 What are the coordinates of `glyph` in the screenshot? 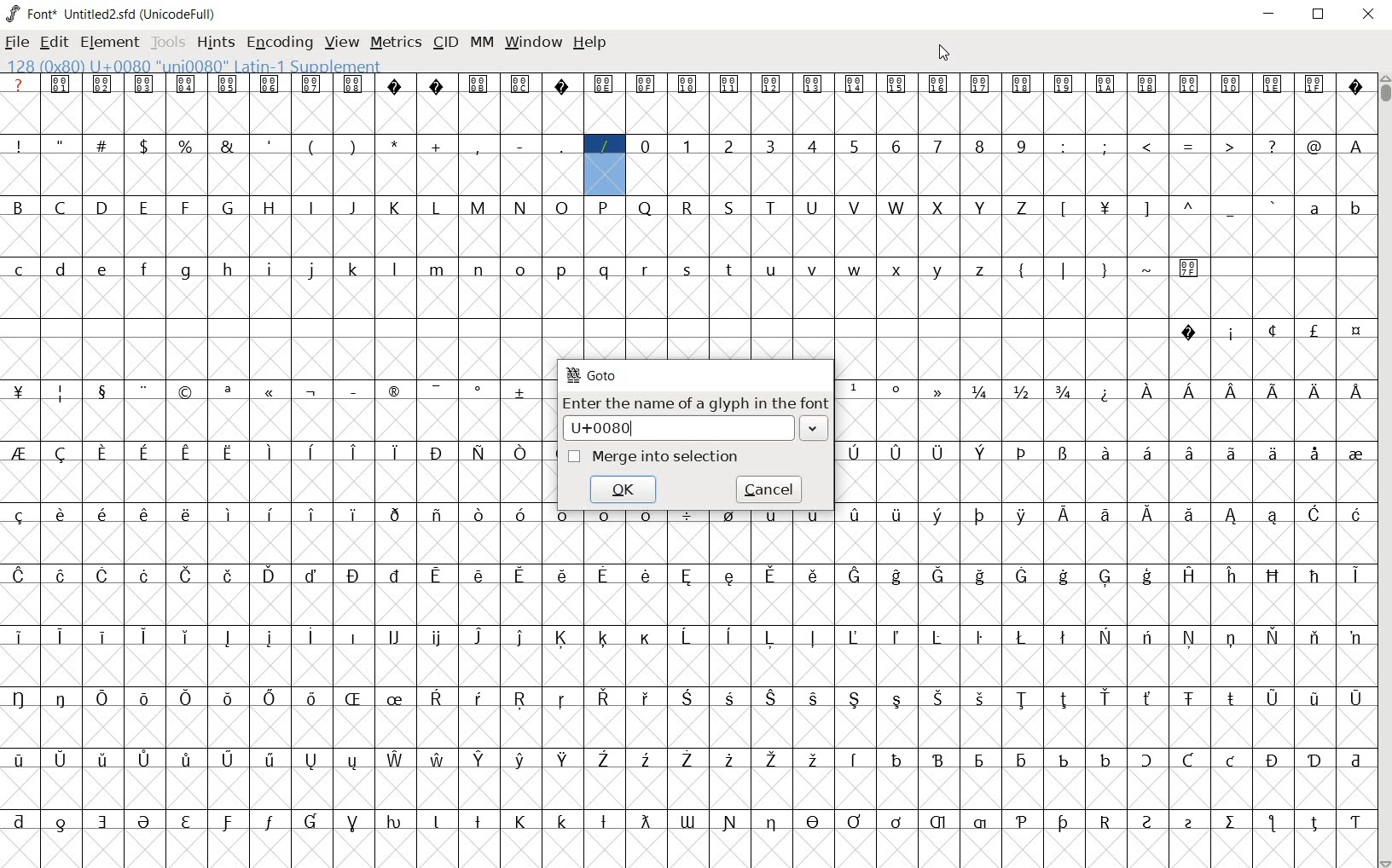 It's located at (1231, 822).